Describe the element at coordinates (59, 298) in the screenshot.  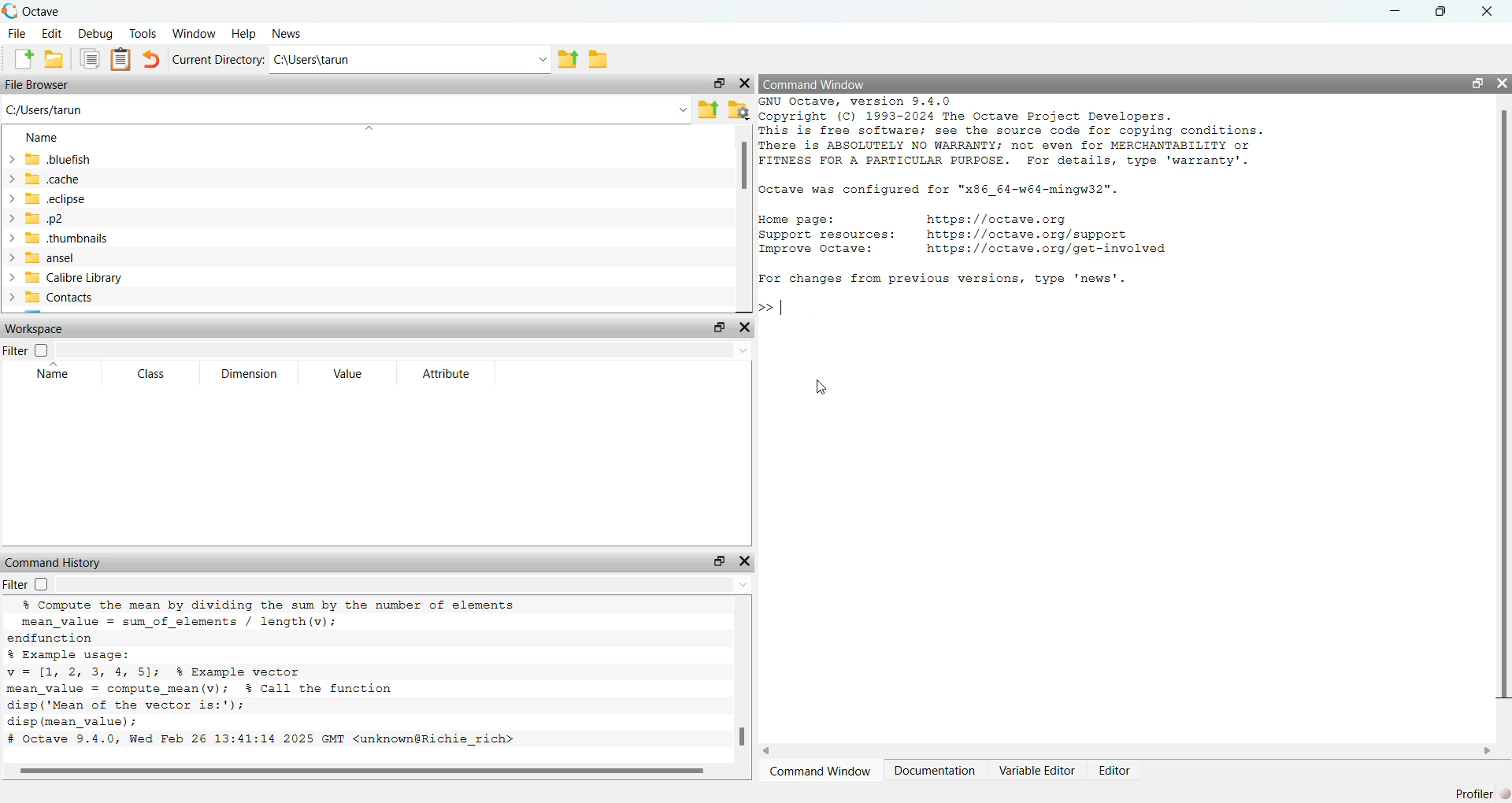
I see `Contacts` at that location.